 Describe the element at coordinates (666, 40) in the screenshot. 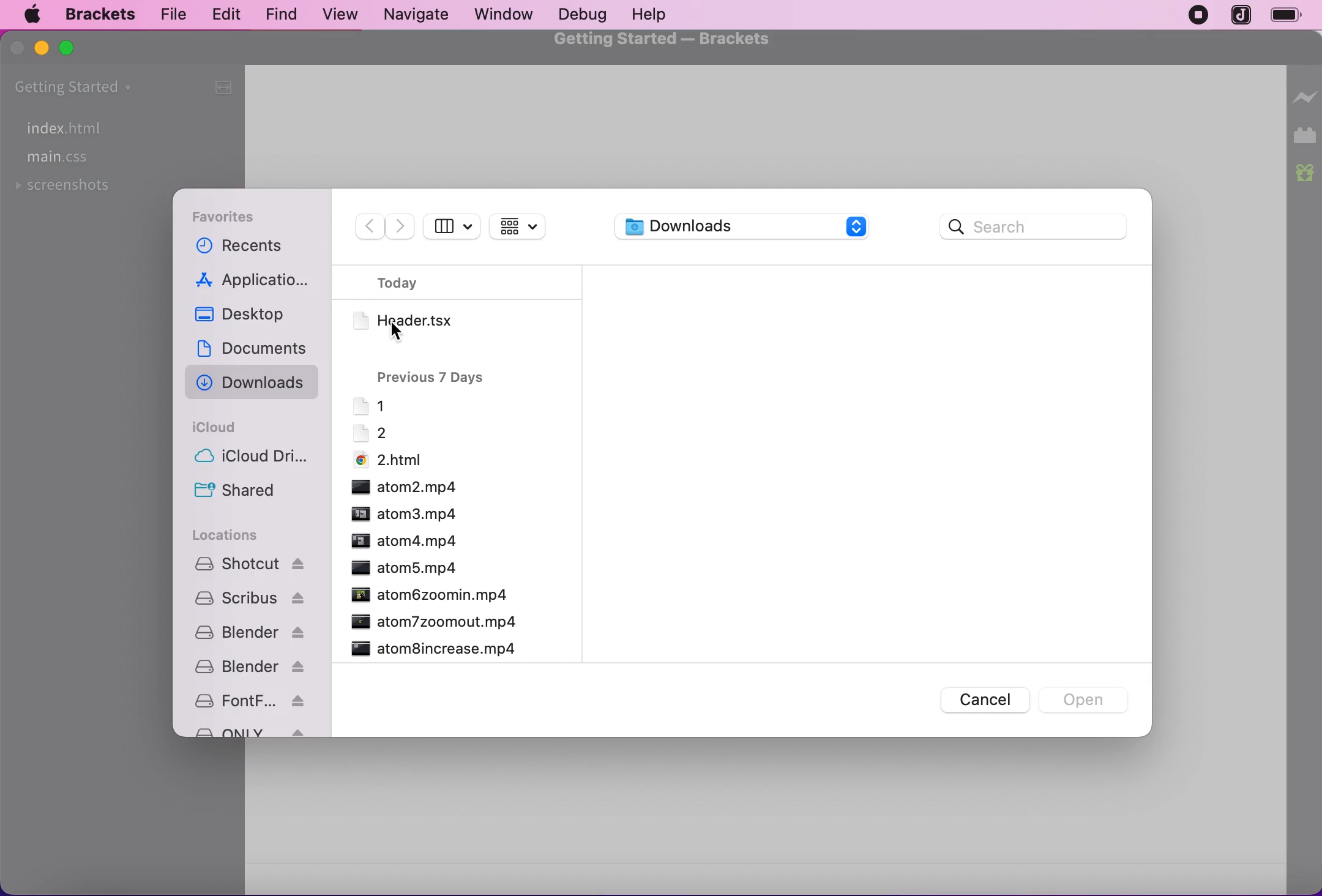

I see `getting started - brackets` at that location.